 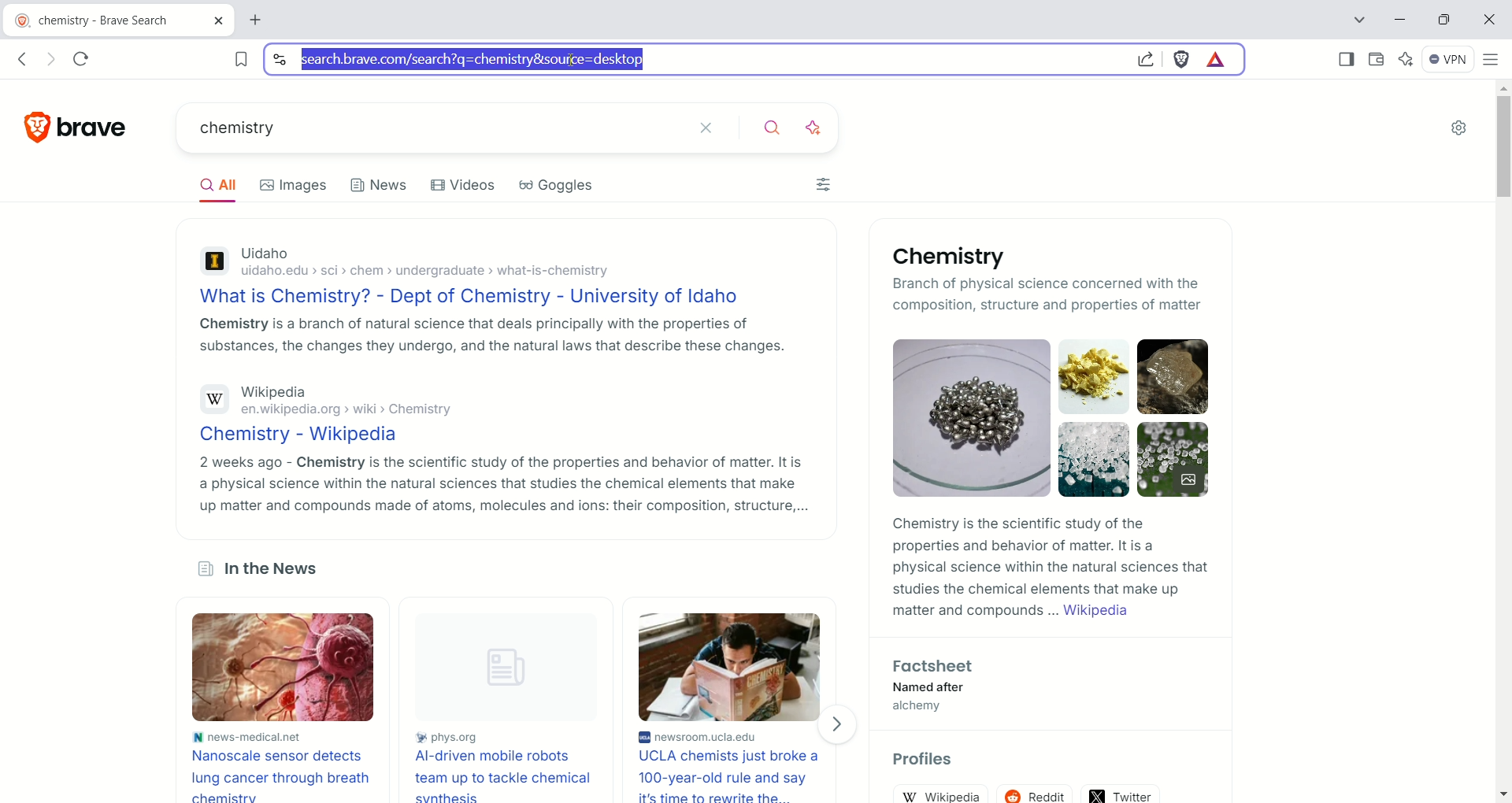 I want to click on show sidebar, so click(x=1347, y=61).